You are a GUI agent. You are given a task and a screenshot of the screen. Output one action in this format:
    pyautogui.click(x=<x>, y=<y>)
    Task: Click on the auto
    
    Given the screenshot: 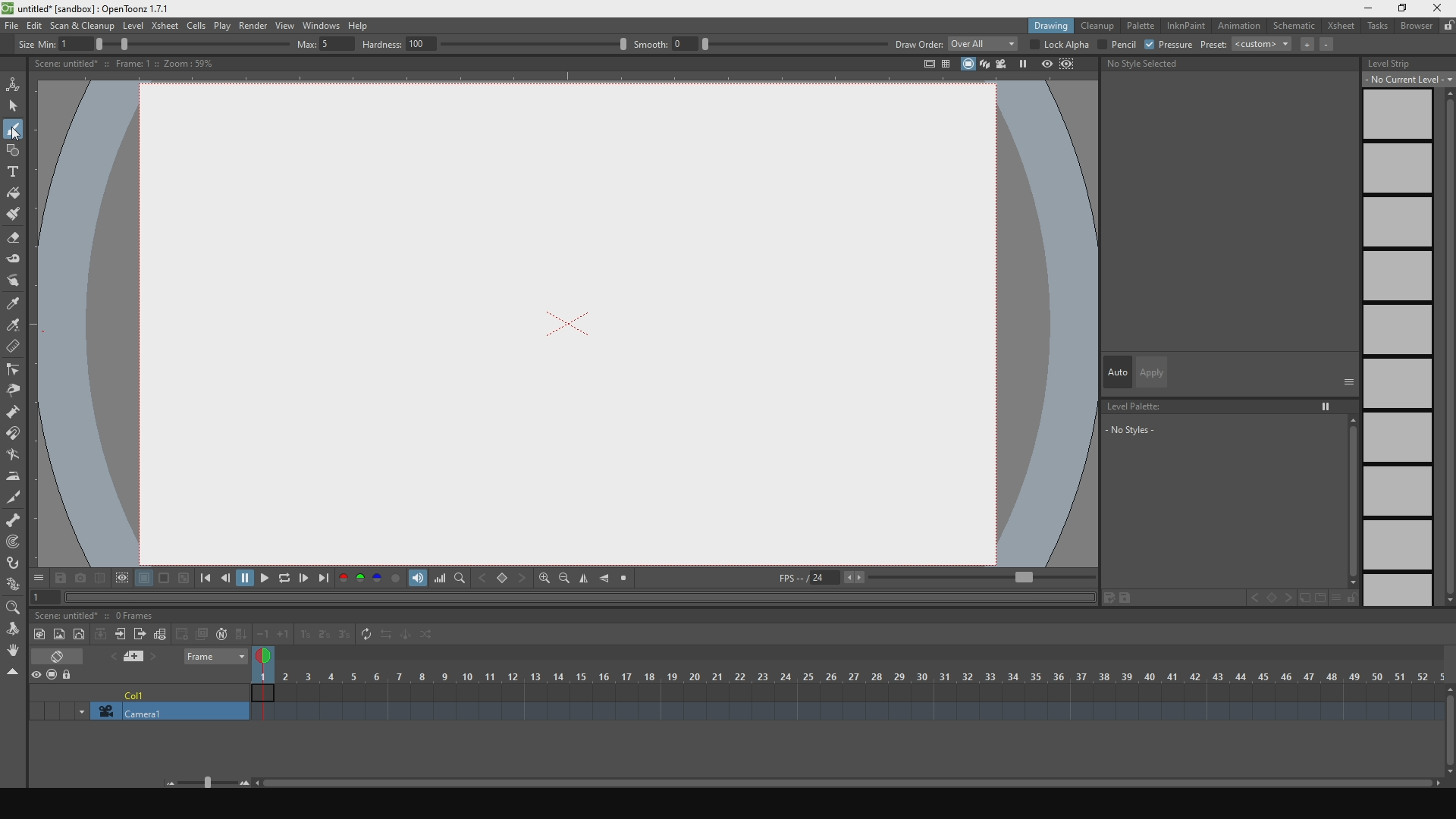 What is the action you would take?
    pyautogui.click(x=1115, y=370)
    